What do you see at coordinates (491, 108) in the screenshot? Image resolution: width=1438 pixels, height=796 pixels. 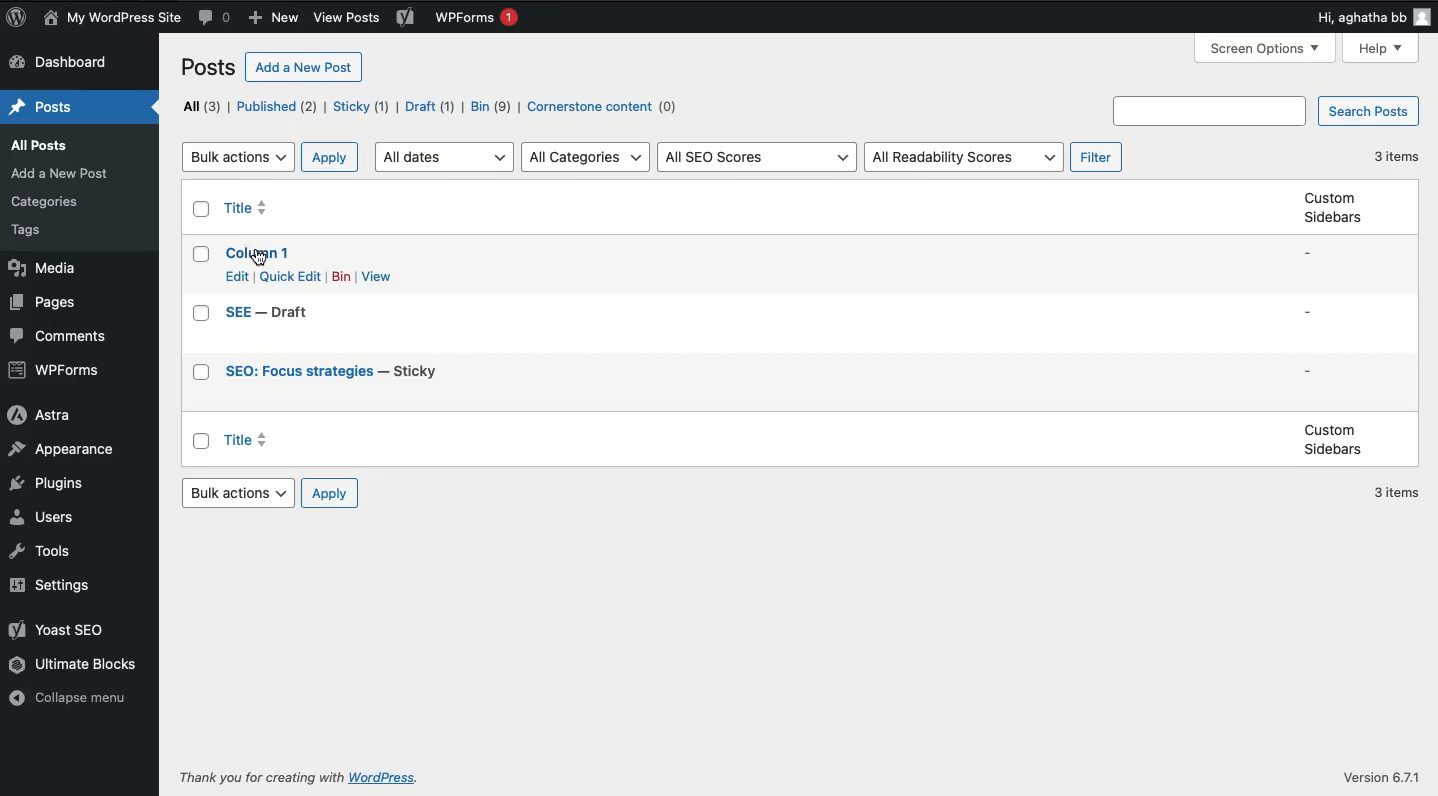 I see `Bin` at bounding box center [491, 108].